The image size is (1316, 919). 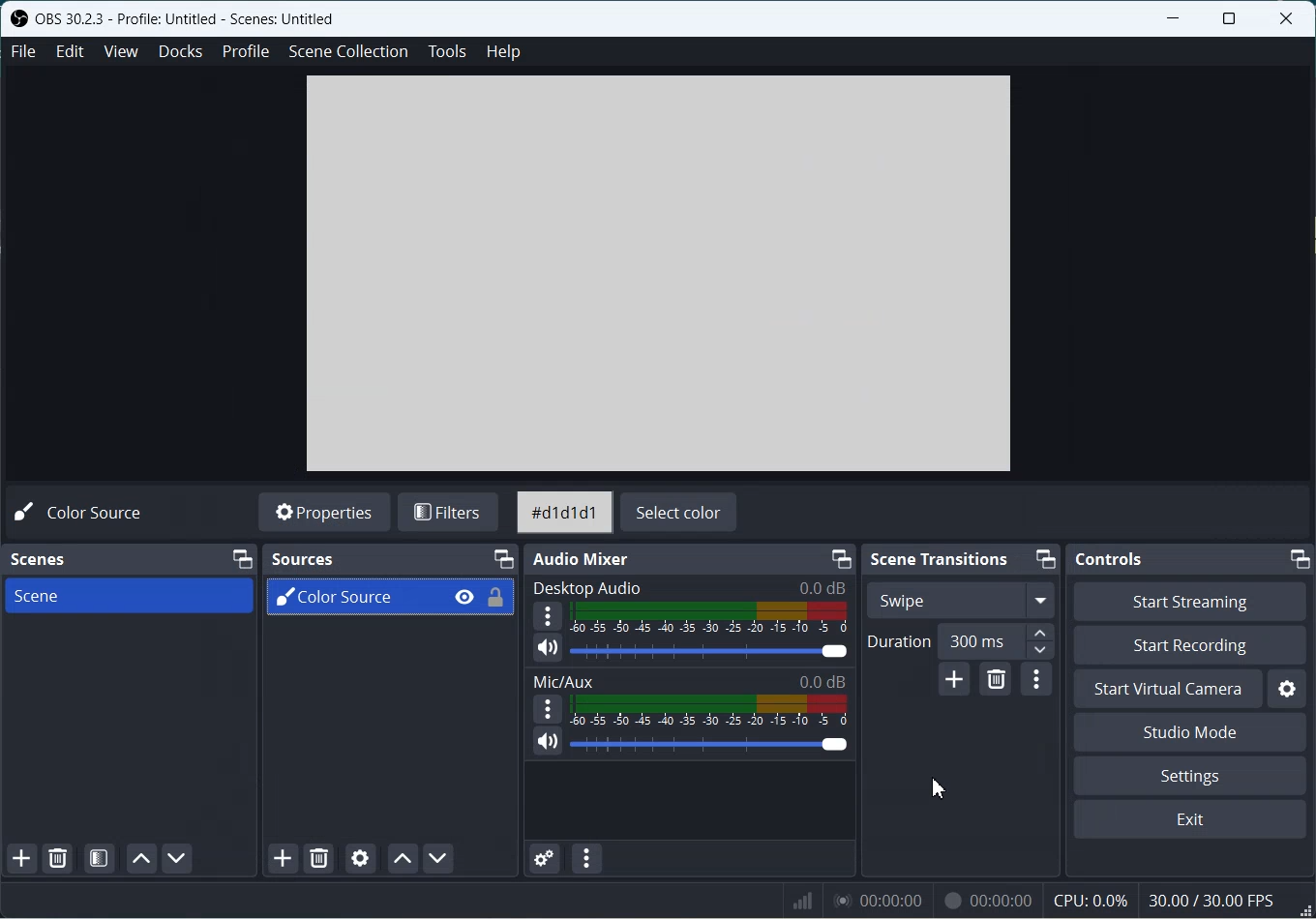 I want to click on Start Streaming, so click(x=1190, y=601).